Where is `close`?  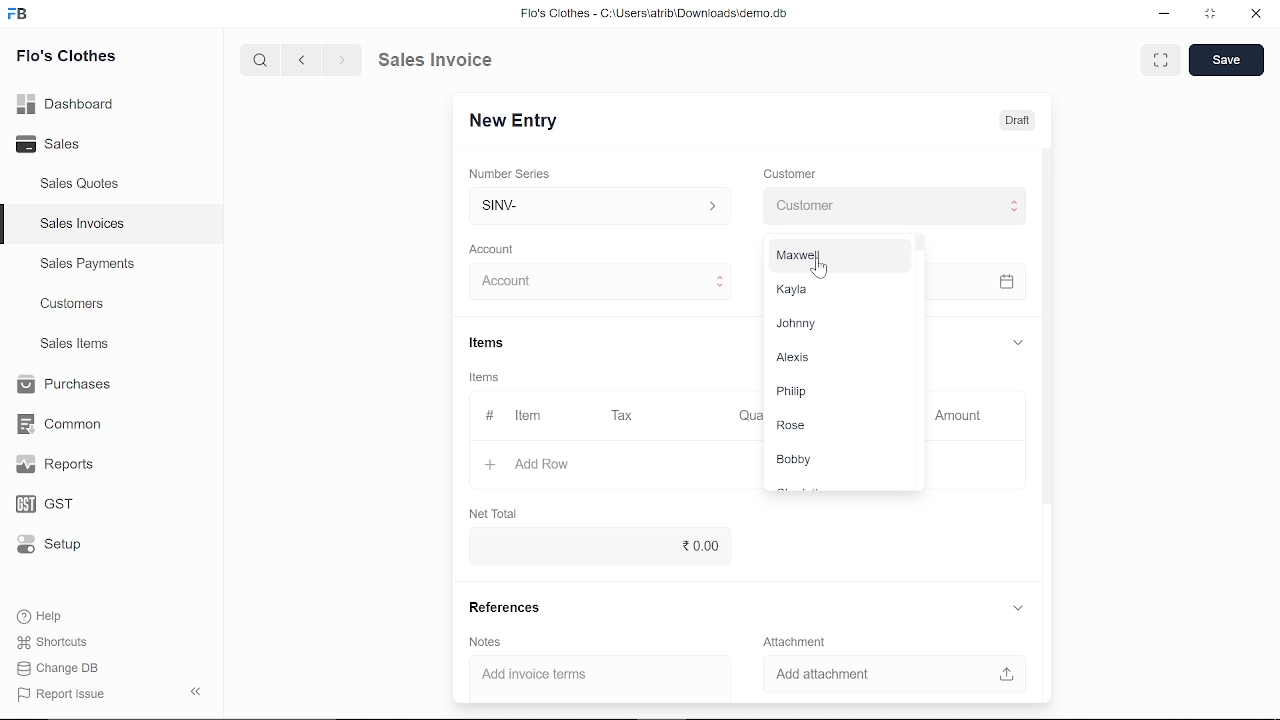
close is located at coordinates (1254, 15).